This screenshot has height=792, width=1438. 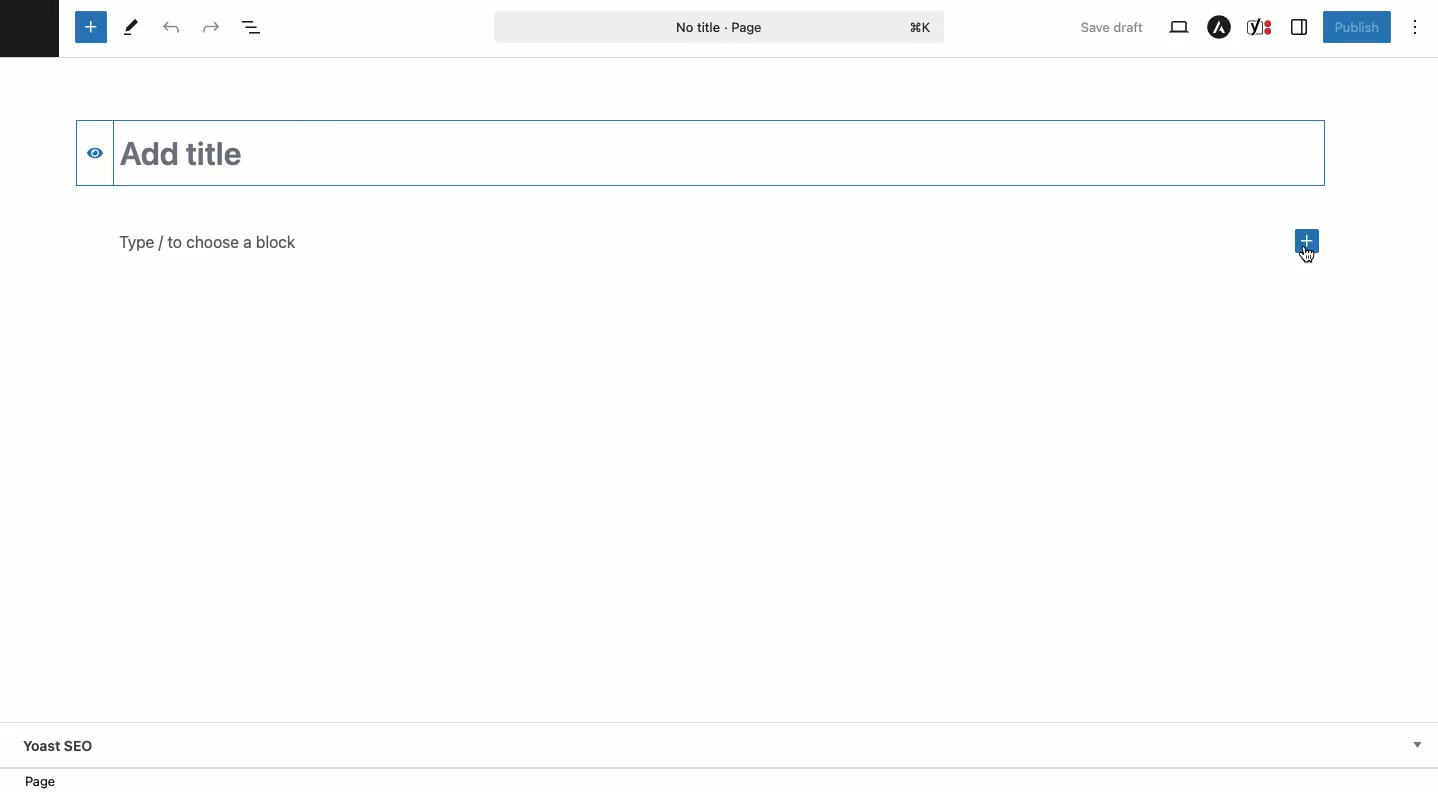 I want to click on Text, so click(x=208, y=245).